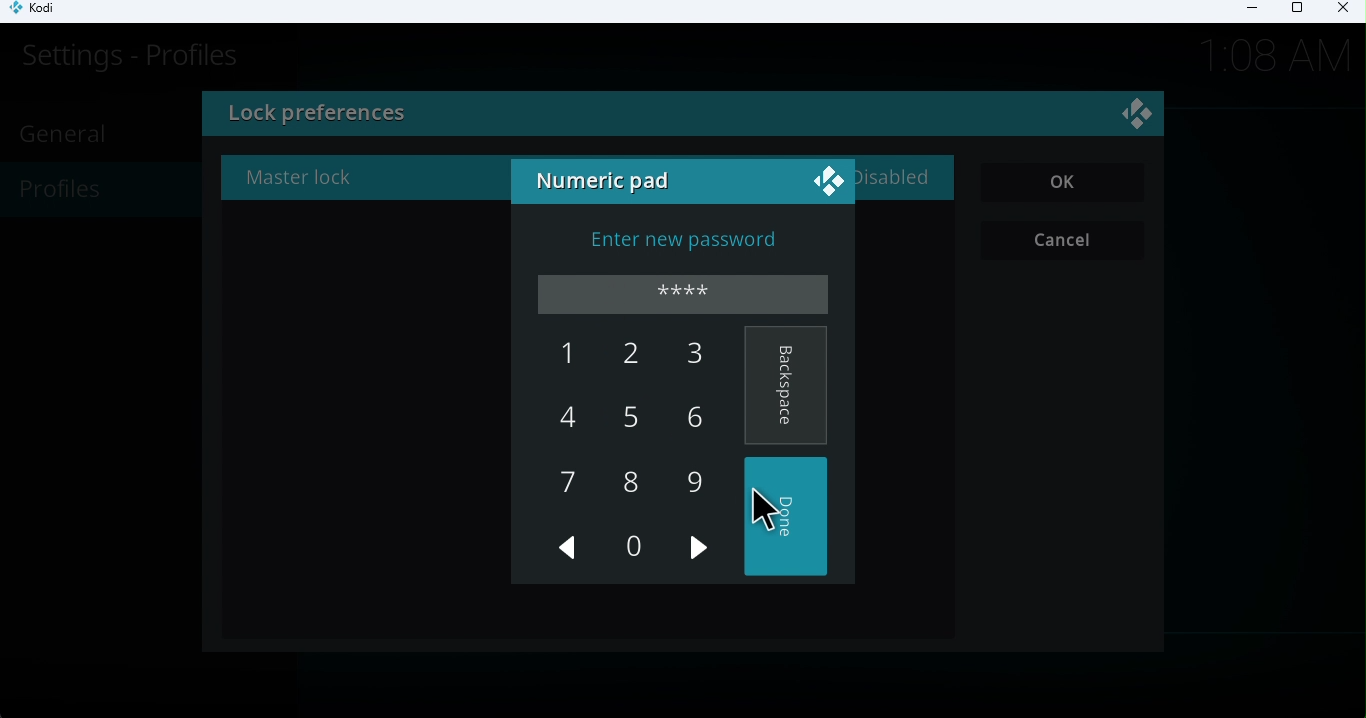 This screenshot has height=718, width=1366. Describe the element at coordinates (786, 386) in the screenshot. I see `Backspace` at that location.